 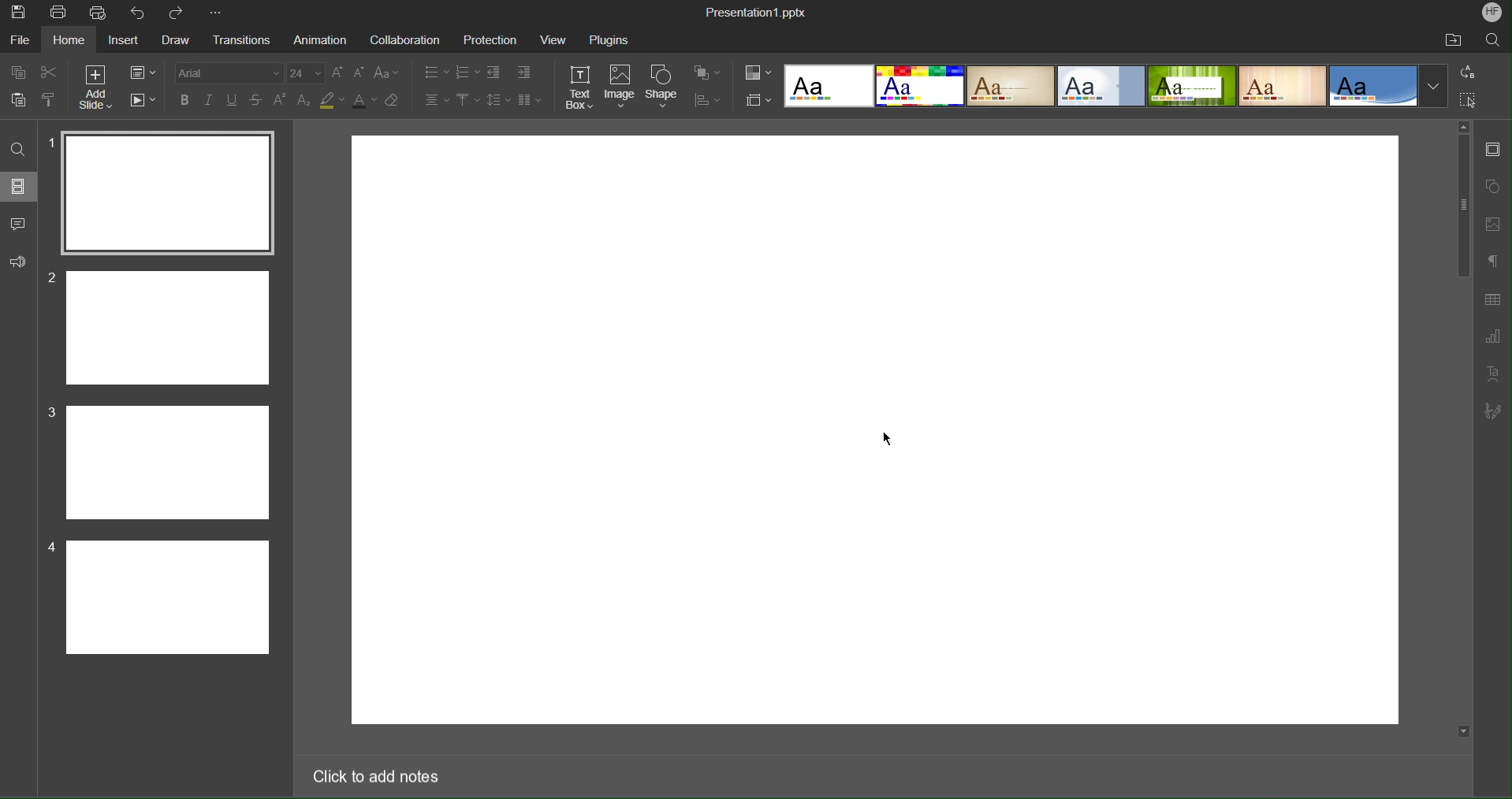 What do you see at coordinates (620, 88) in the screenshot?
I see `Image` at bounding box center [620, 88].